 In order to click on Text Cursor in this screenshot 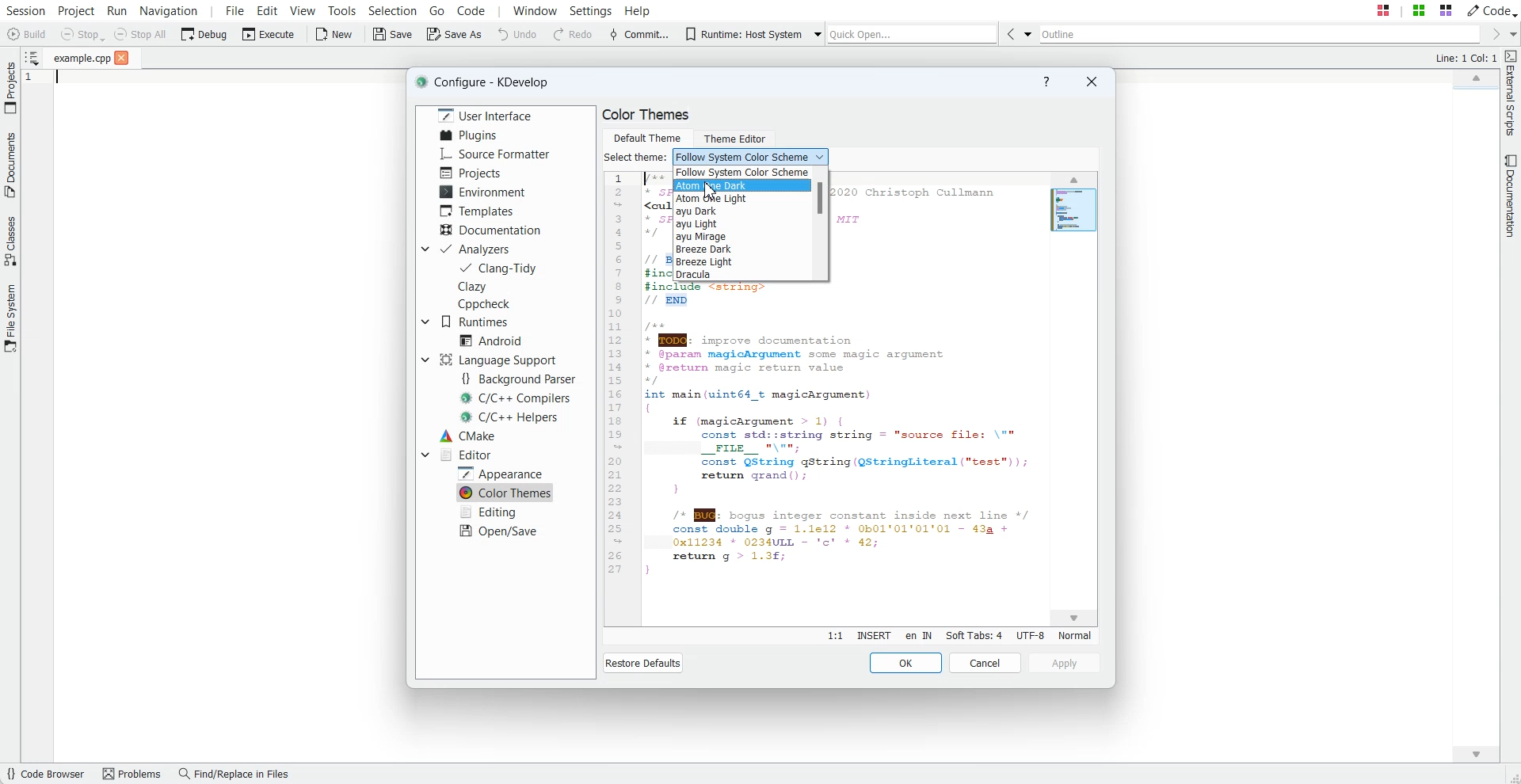, I will do `click(55, 82)`.